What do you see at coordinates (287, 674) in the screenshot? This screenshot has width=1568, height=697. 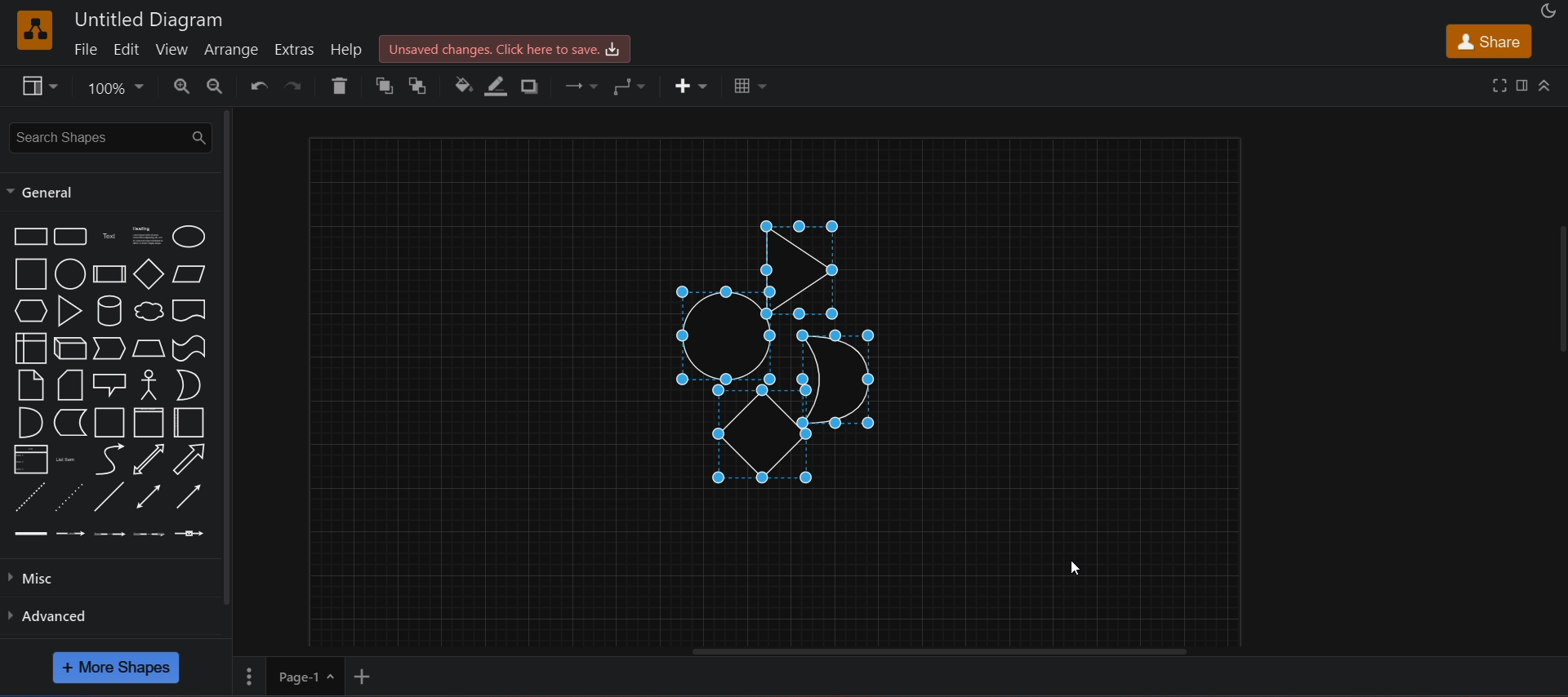 I see `page 1 ` at bounding box center [287, 674].